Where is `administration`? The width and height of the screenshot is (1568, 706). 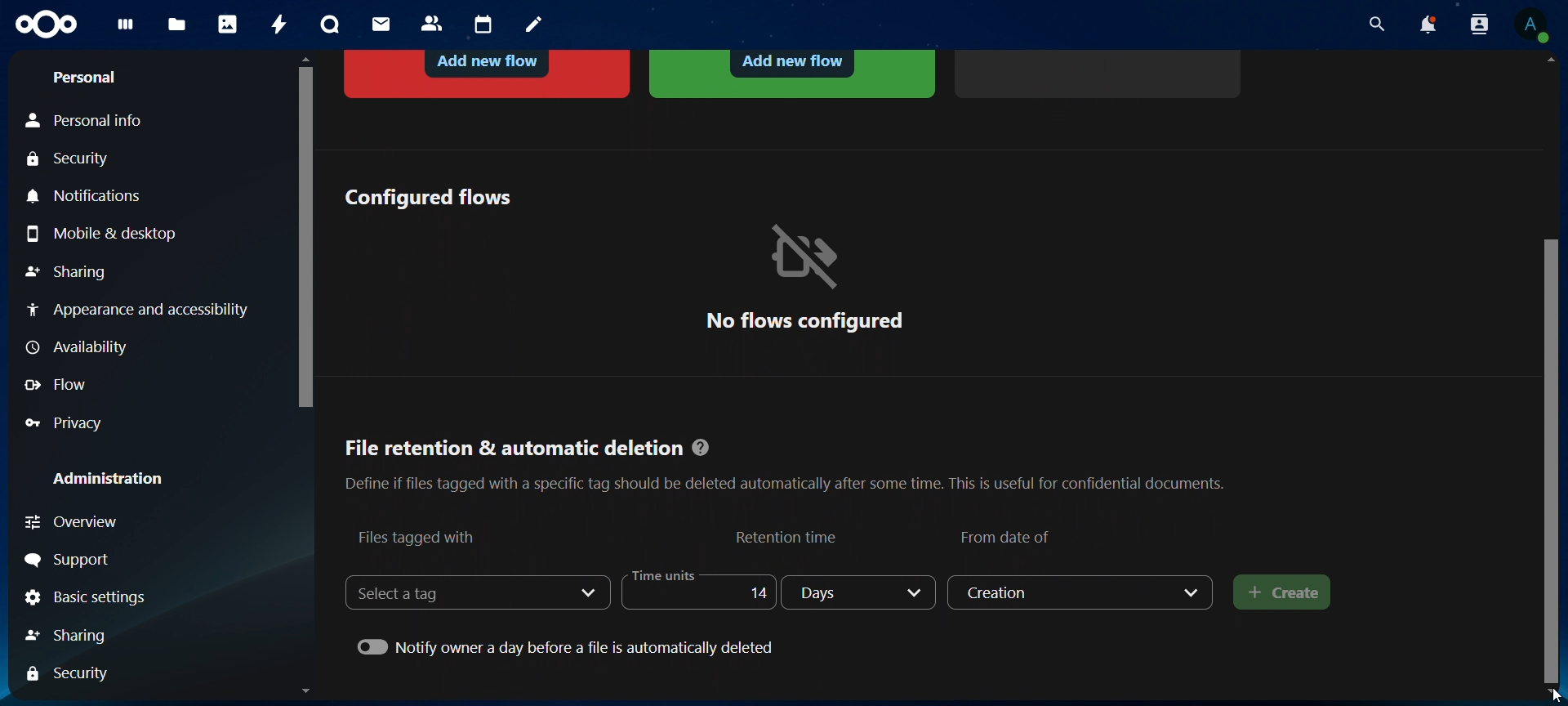 administration is located at coordinates (109, 478).